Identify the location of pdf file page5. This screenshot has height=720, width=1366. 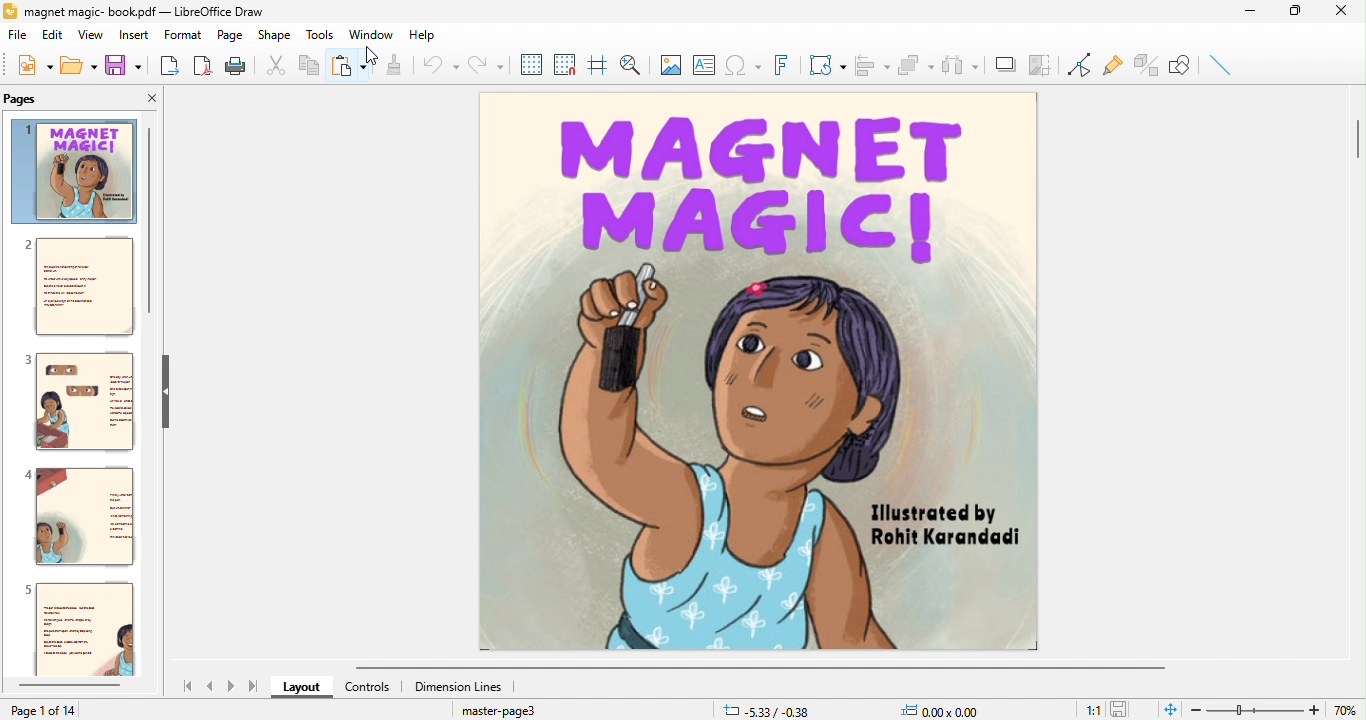
(83, 629).